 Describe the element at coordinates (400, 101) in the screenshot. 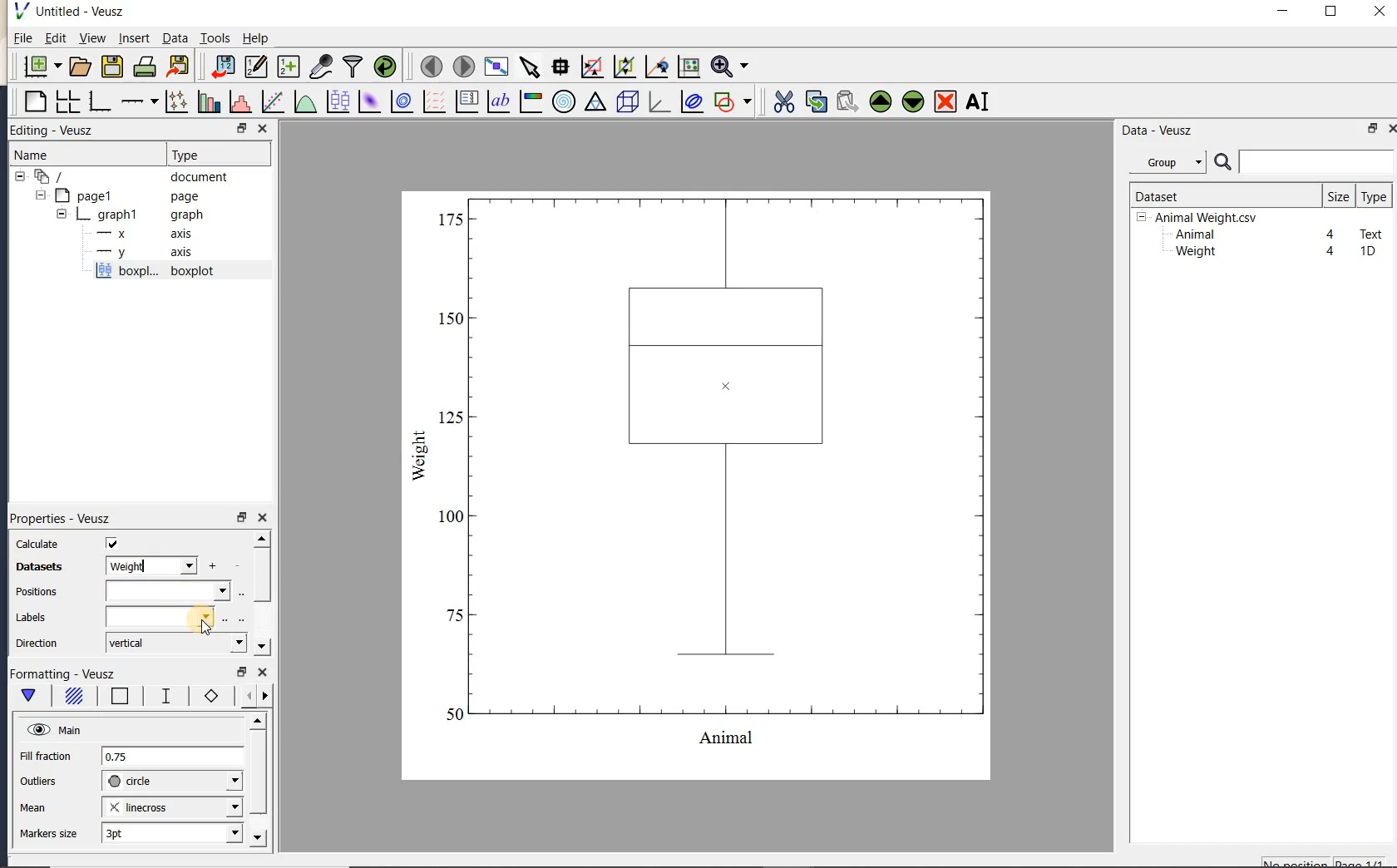

I see `plot a 2d dataset as contours` at that location.